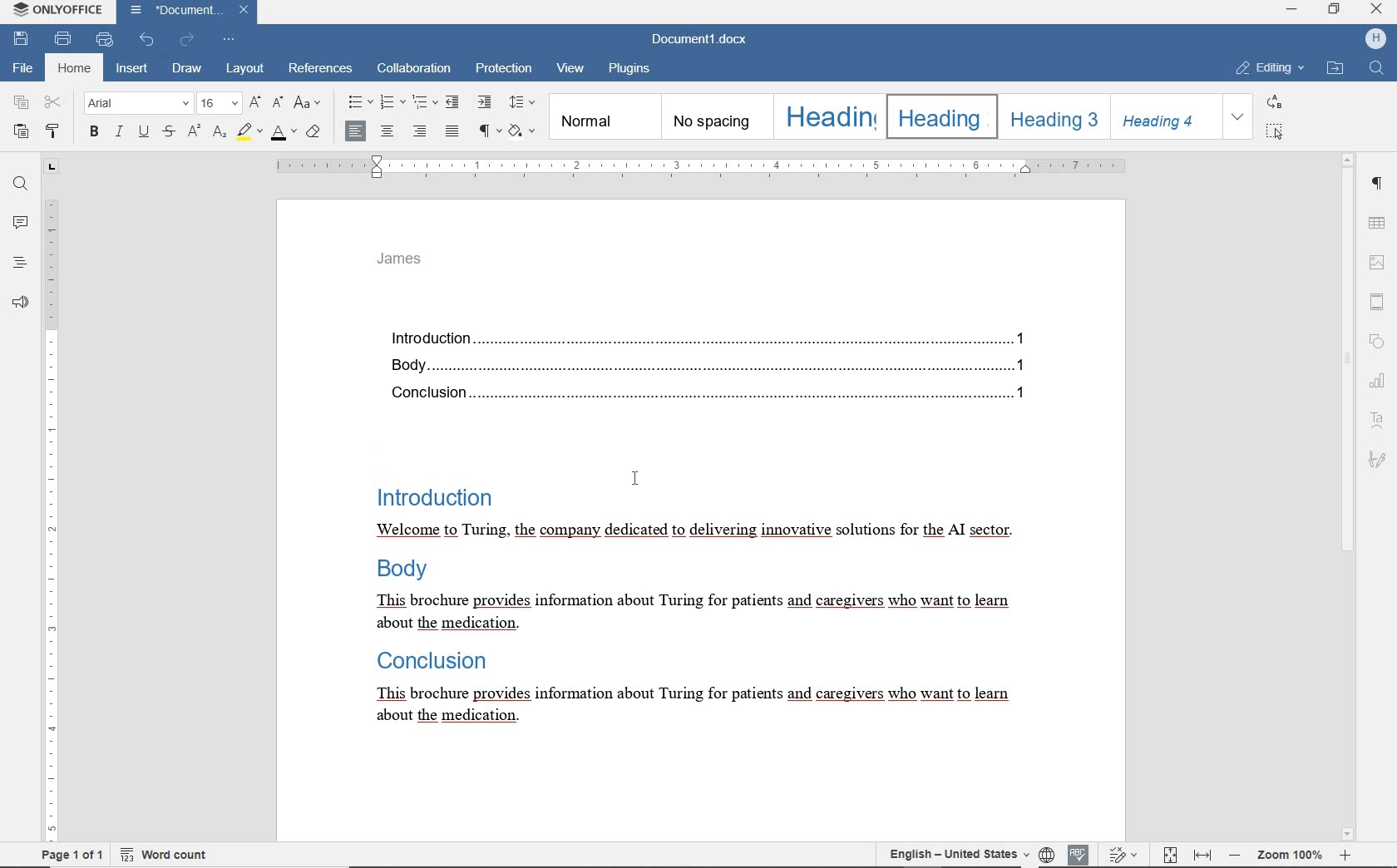  I want to click on OPEN FILE LOCATION, so click(1335, 69).